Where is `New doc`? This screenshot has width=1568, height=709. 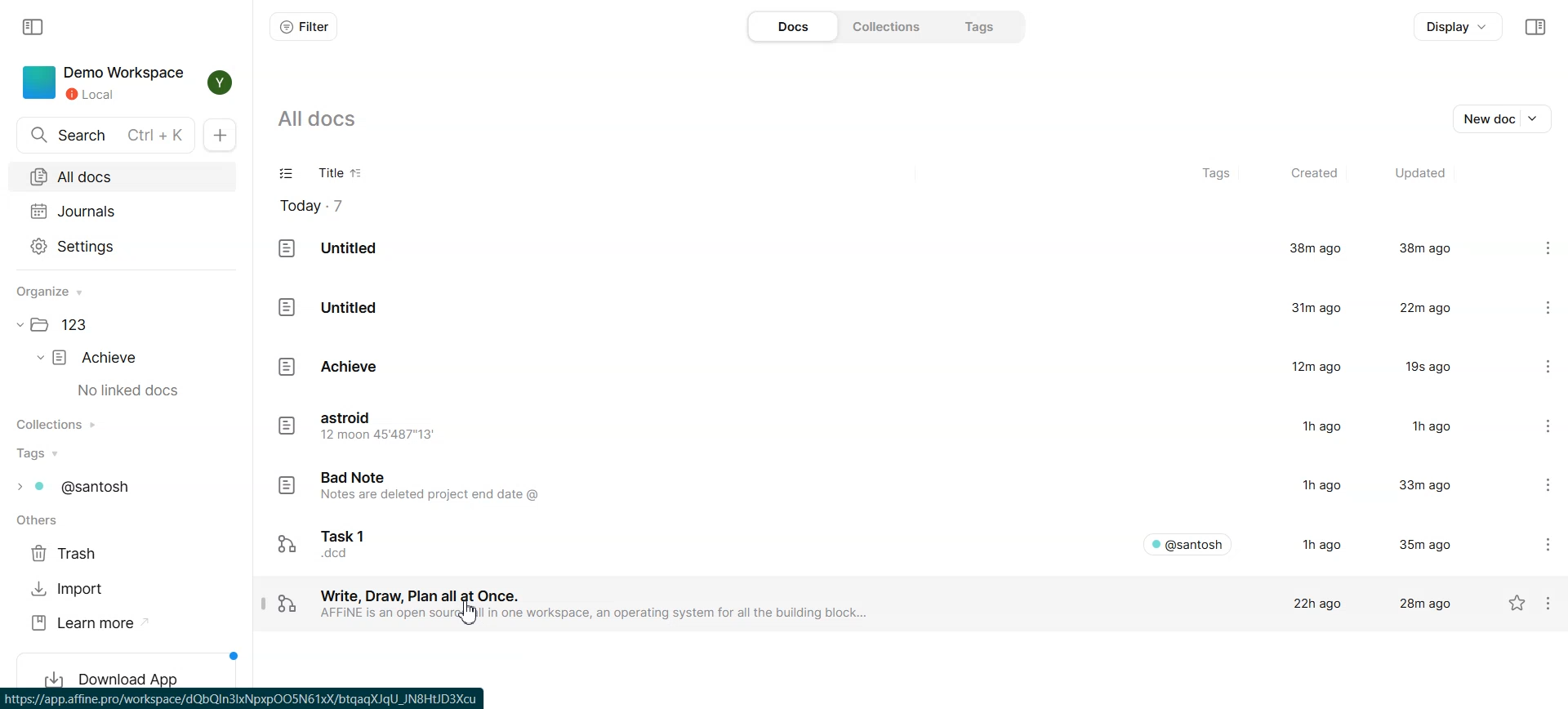 New doc is located at coordinates (1505, 117).